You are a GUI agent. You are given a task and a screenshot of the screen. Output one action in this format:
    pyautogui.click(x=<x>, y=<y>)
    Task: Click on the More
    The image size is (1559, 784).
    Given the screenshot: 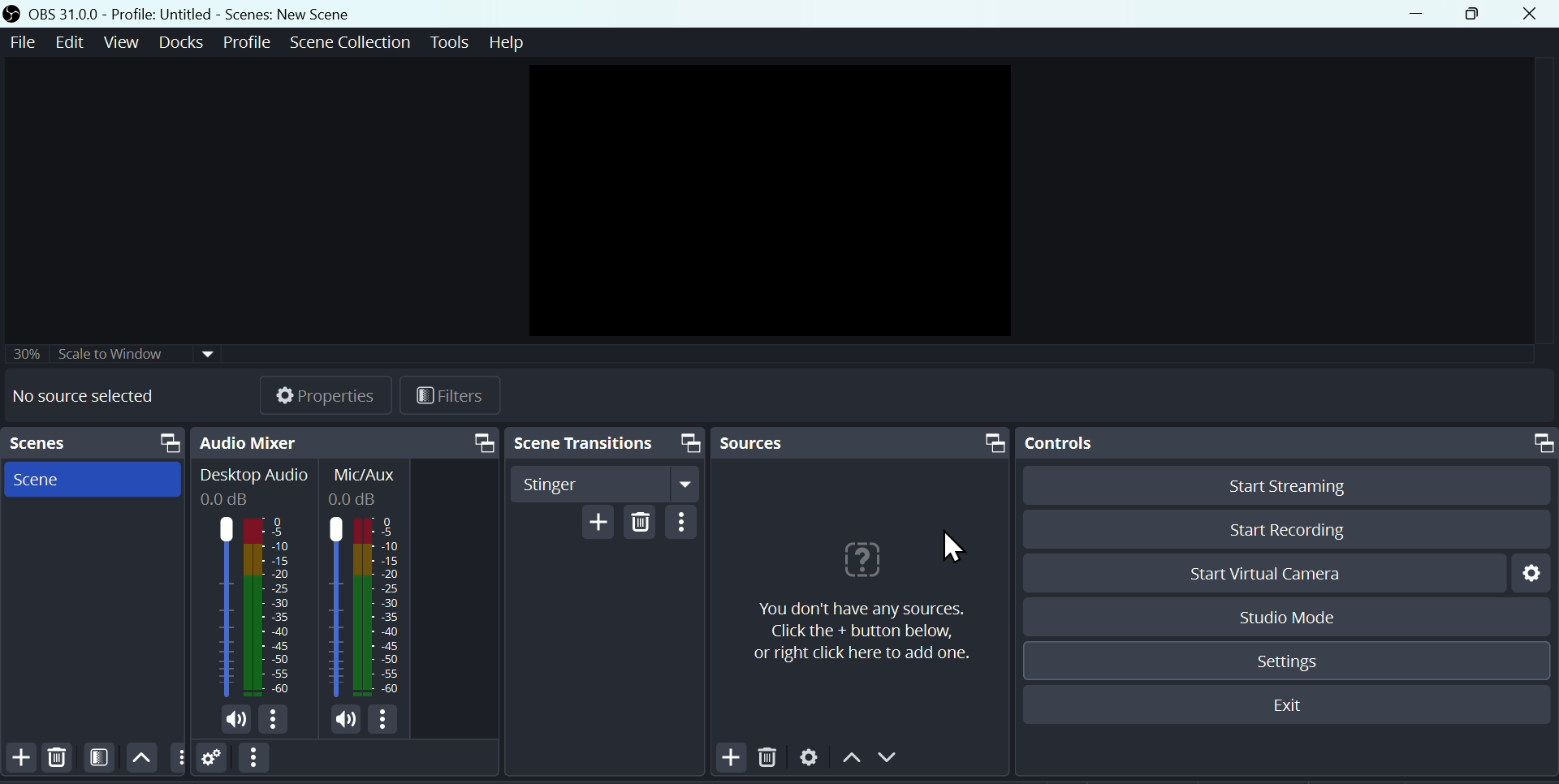 What is the action you would take?
    pyautogui.click(x=180, y=759)
    